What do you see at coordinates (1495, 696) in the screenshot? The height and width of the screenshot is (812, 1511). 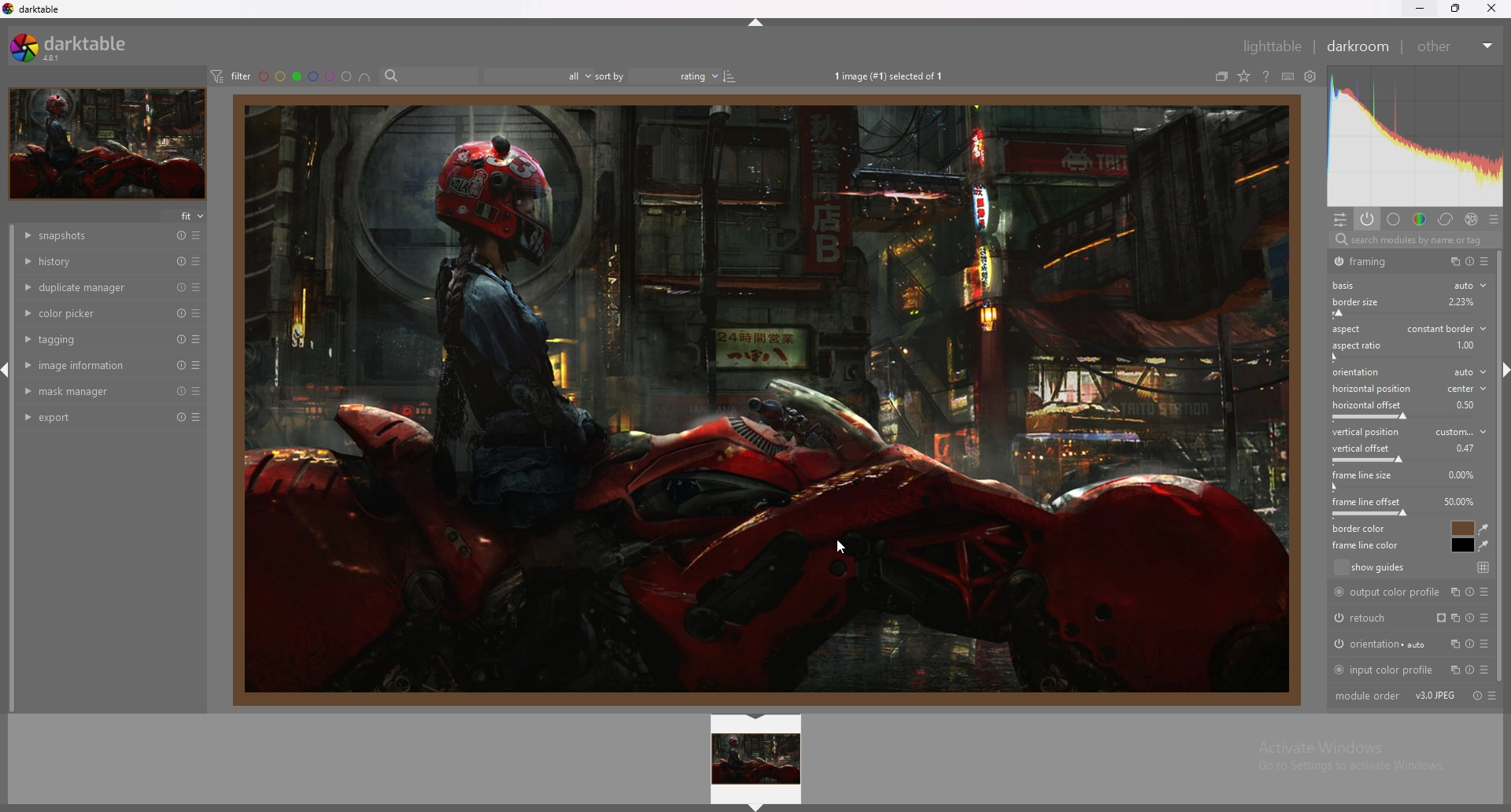 I see `presets` at bounding box center [1495, 696].